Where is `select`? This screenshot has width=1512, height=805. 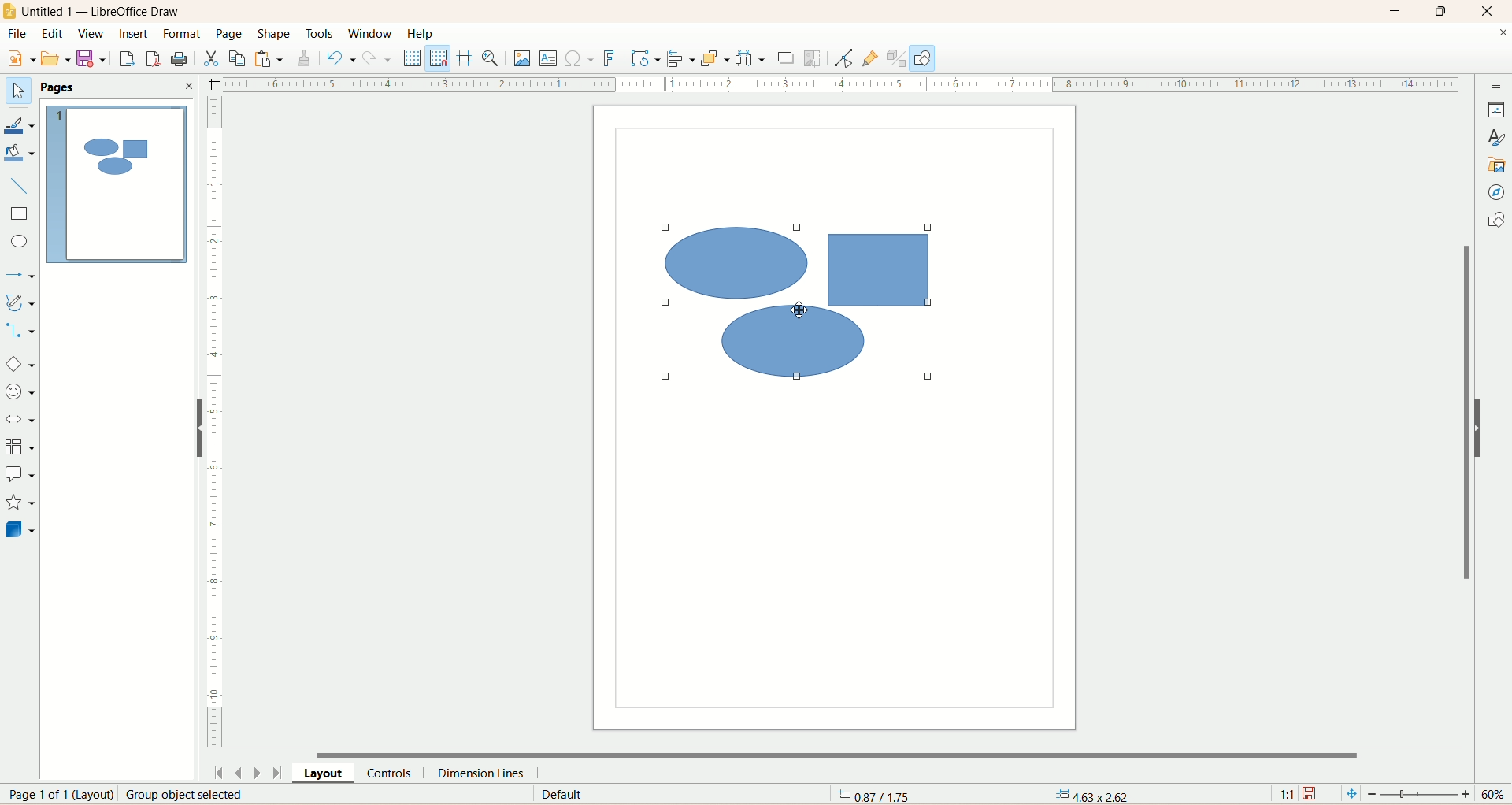 select is located at coordinates (19, 91).